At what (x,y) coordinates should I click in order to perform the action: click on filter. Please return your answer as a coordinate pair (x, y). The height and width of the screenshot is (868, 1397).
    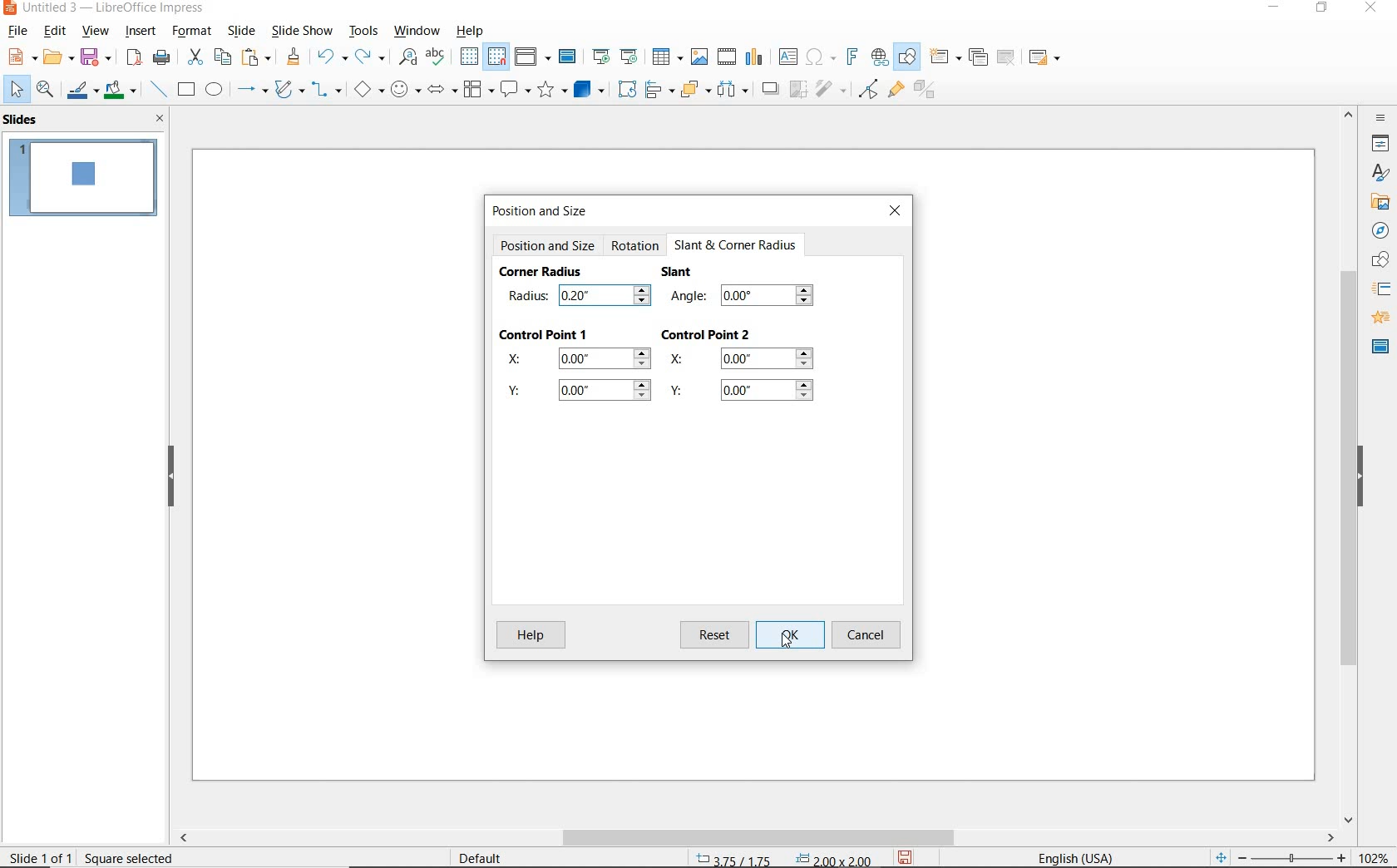
    Looking at the image, I should click on (832, 91).